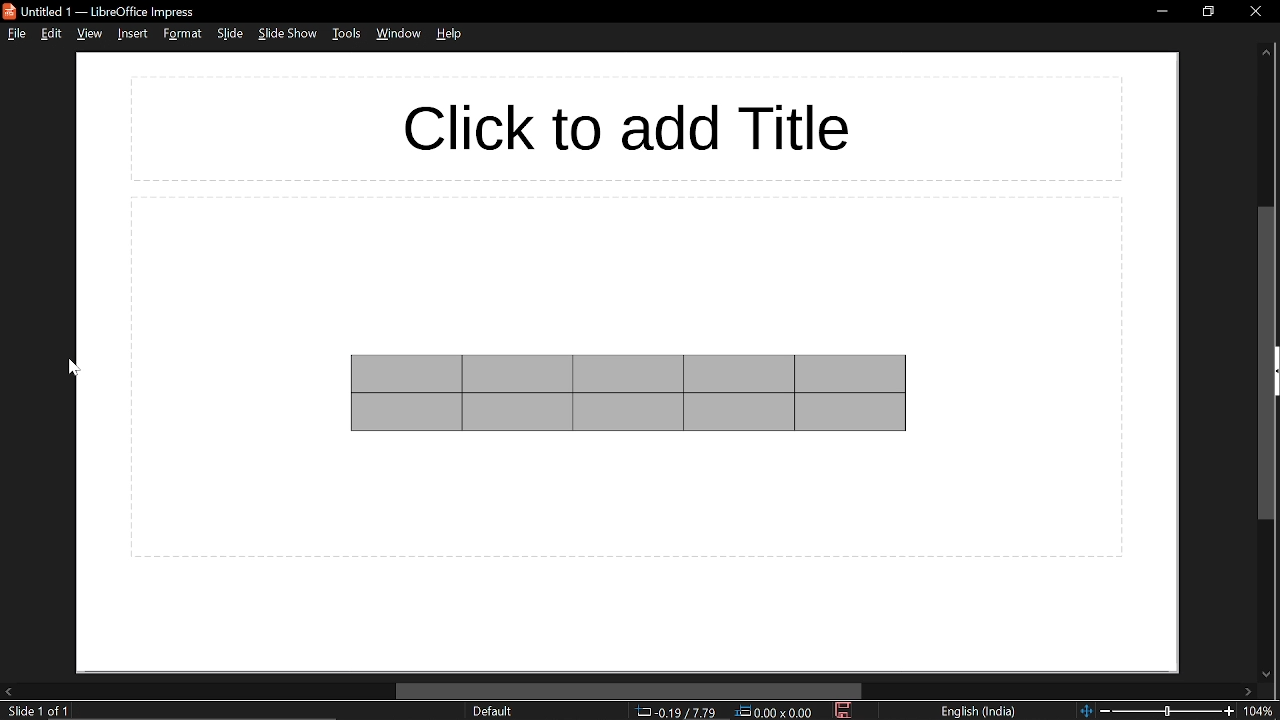 This screenshot has width=1280, height=720. Describe the element at coordinates (10, 690) in the screenshot. I see `Move left` at that location.